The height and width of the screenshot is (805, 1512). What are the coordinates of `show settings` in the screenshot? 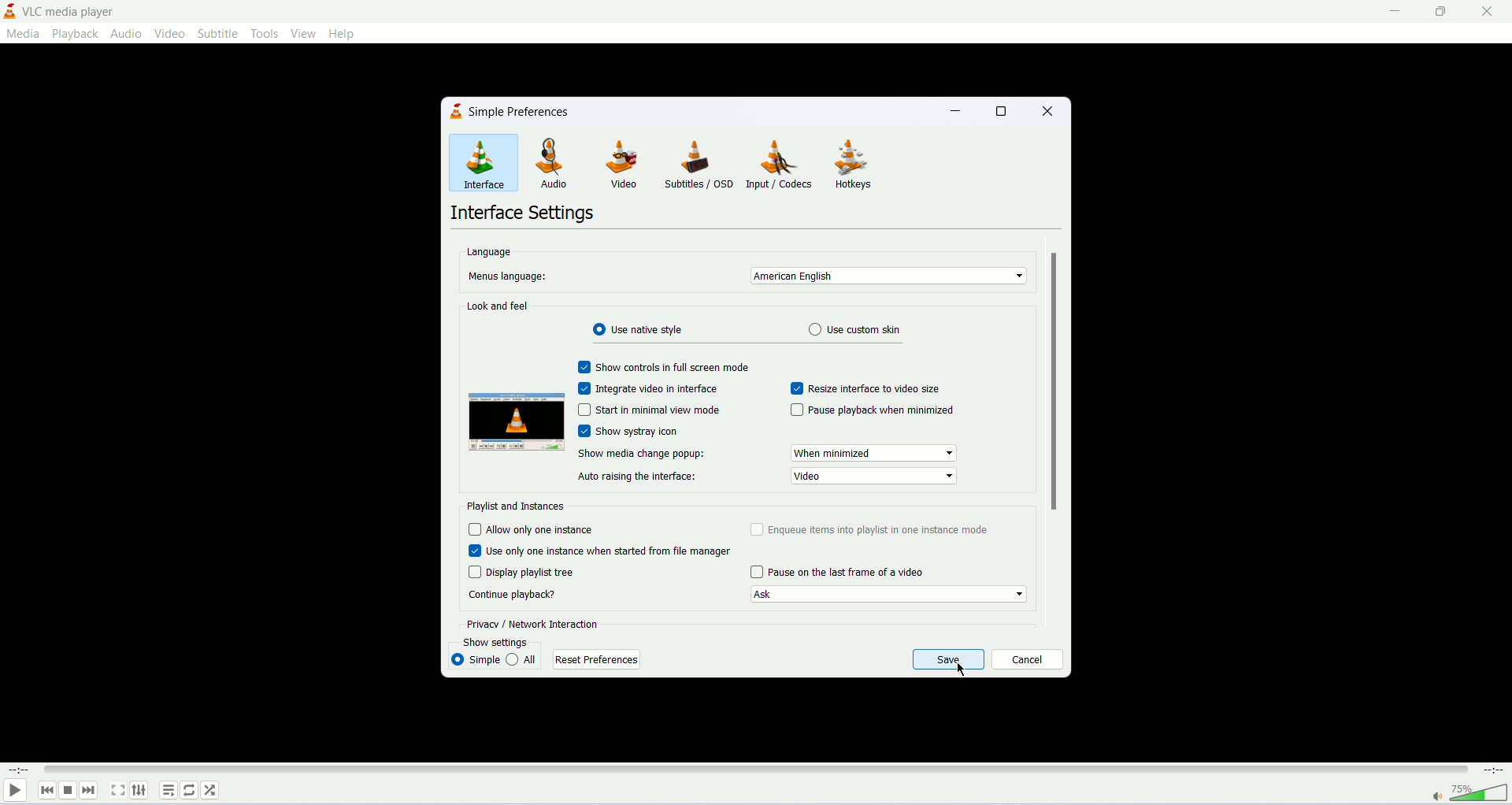 It's located at (508, 641).